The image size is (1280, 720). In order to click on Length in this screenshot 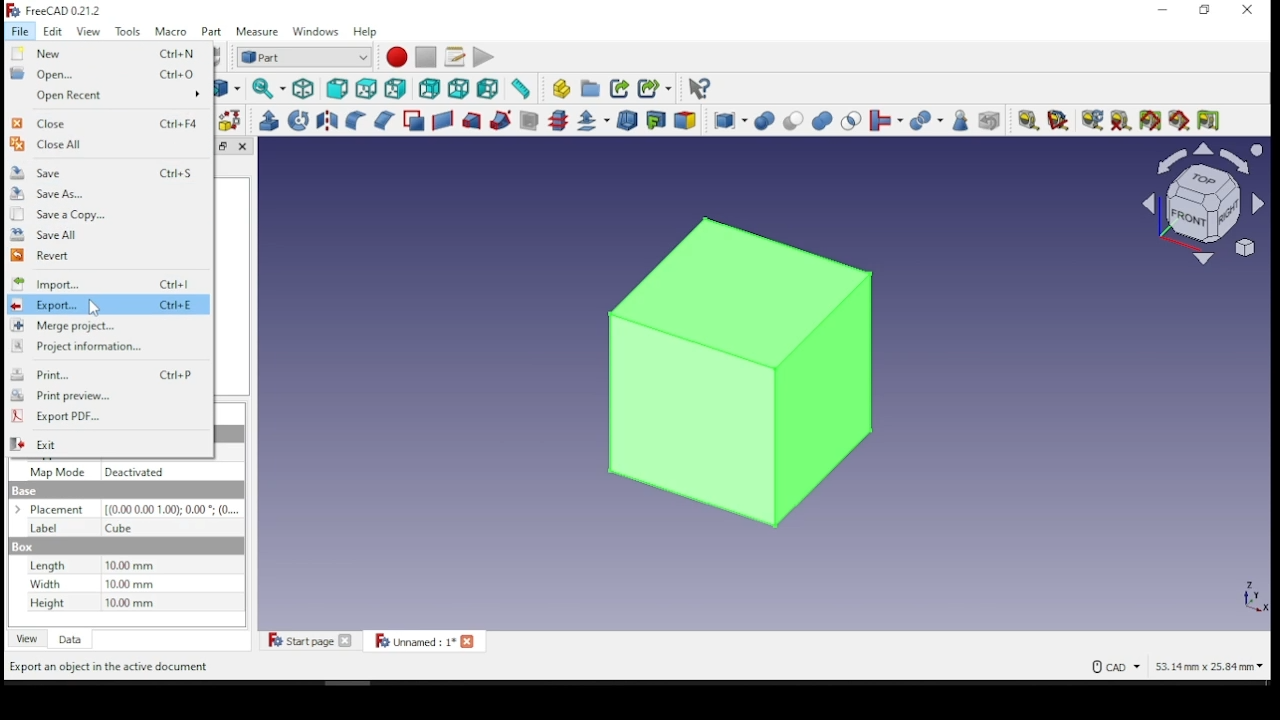, I will do `click(47, 565)`.